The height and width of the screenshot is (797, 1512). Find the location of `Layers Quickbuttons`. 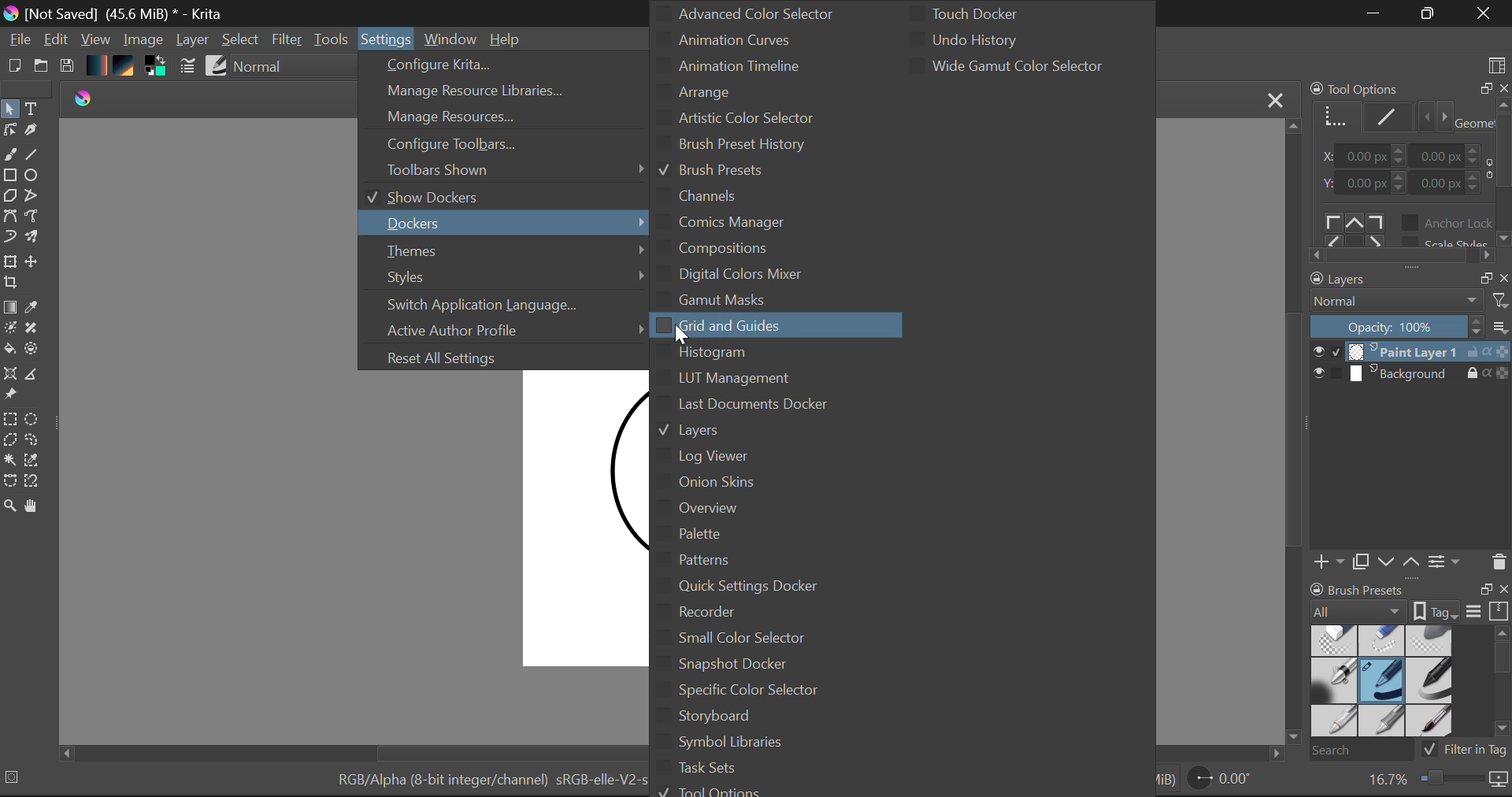

Layers Quickbuttons is located at coordinates (1408, 562).